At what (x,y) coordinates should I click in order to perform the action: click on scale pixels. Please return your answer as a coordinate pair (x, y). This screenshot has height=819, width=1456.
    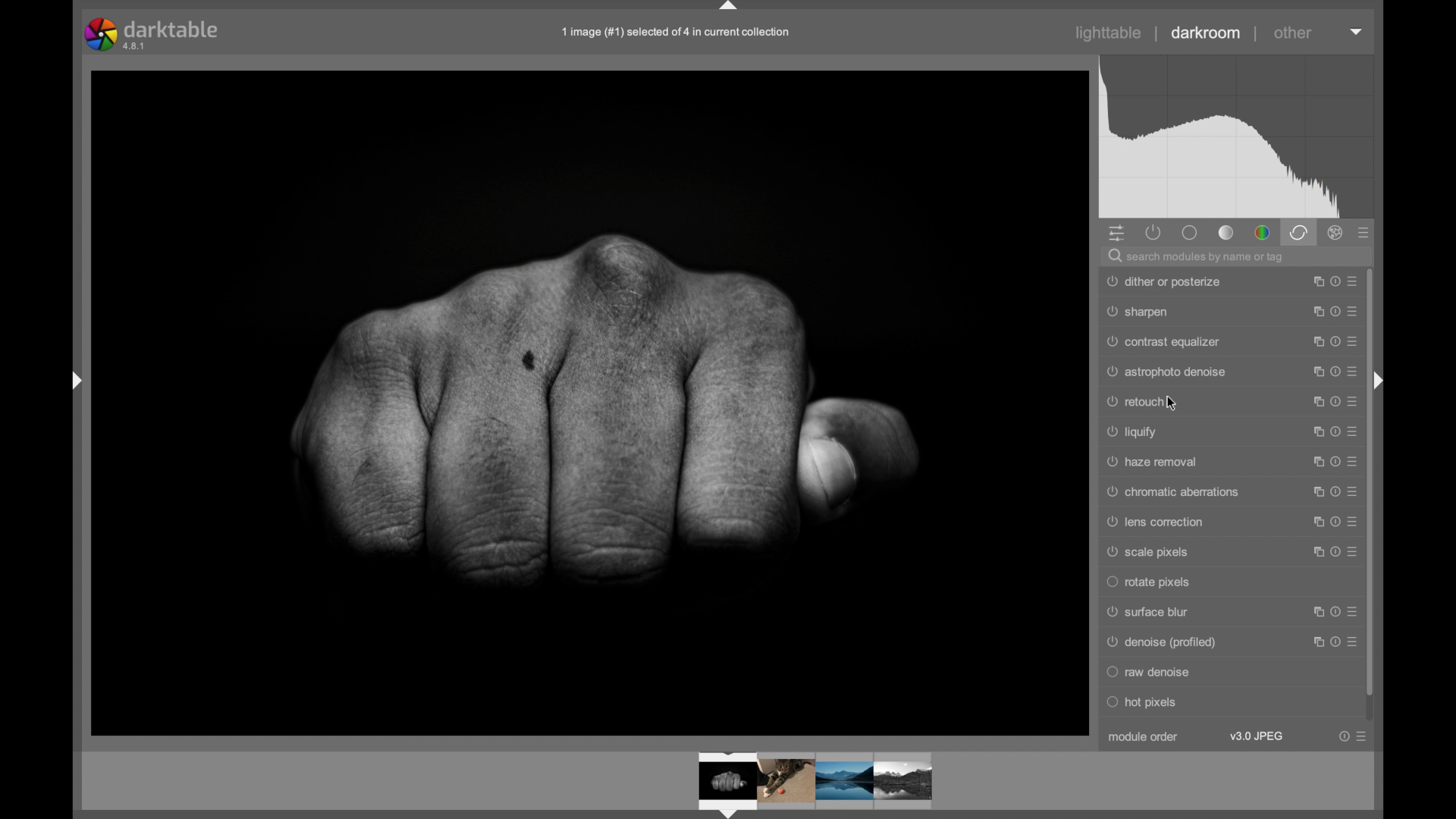
    Looking at the image, I should click on (1147, 552).